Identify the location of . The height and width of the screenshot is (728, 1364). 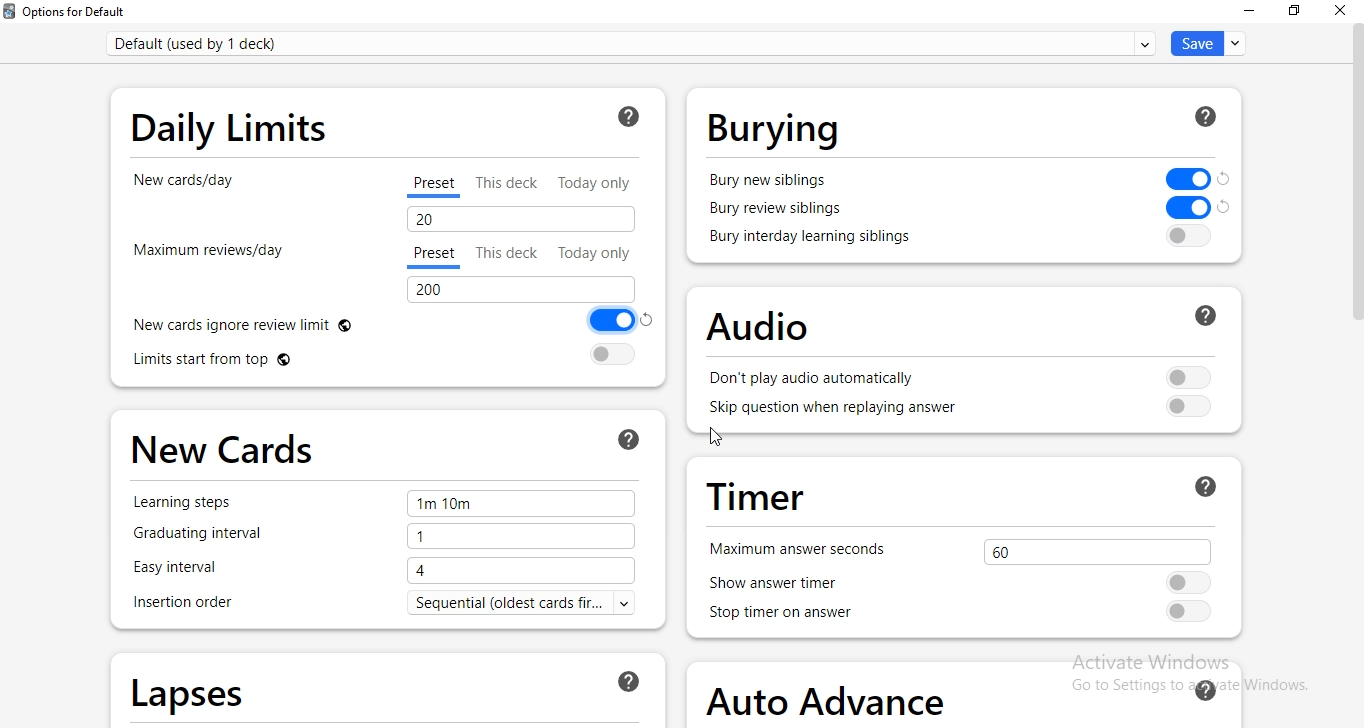
(1226, 178).